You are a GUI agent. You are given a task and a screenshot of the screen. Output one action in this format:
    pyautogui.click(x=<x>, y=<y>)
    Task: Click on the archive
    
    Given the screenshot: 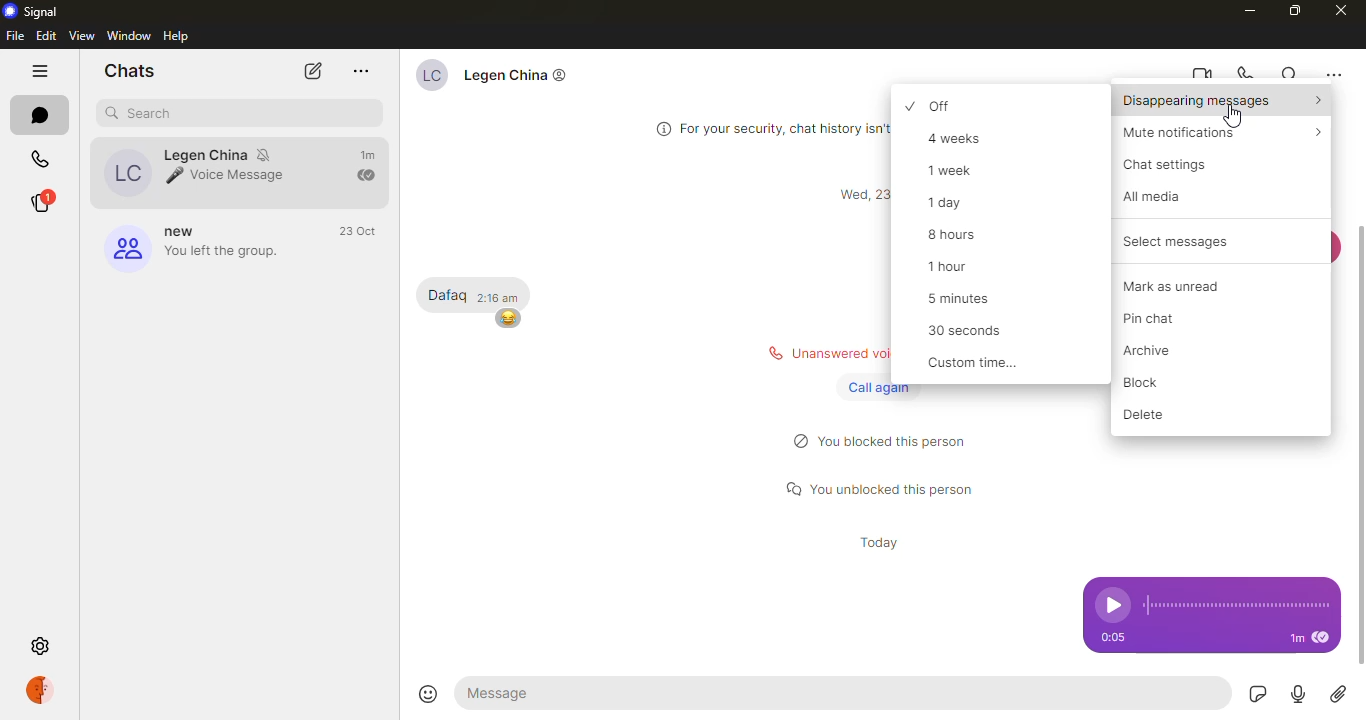 What is the action you would take?
    pyautogui.click(x=1160, y=351)
    